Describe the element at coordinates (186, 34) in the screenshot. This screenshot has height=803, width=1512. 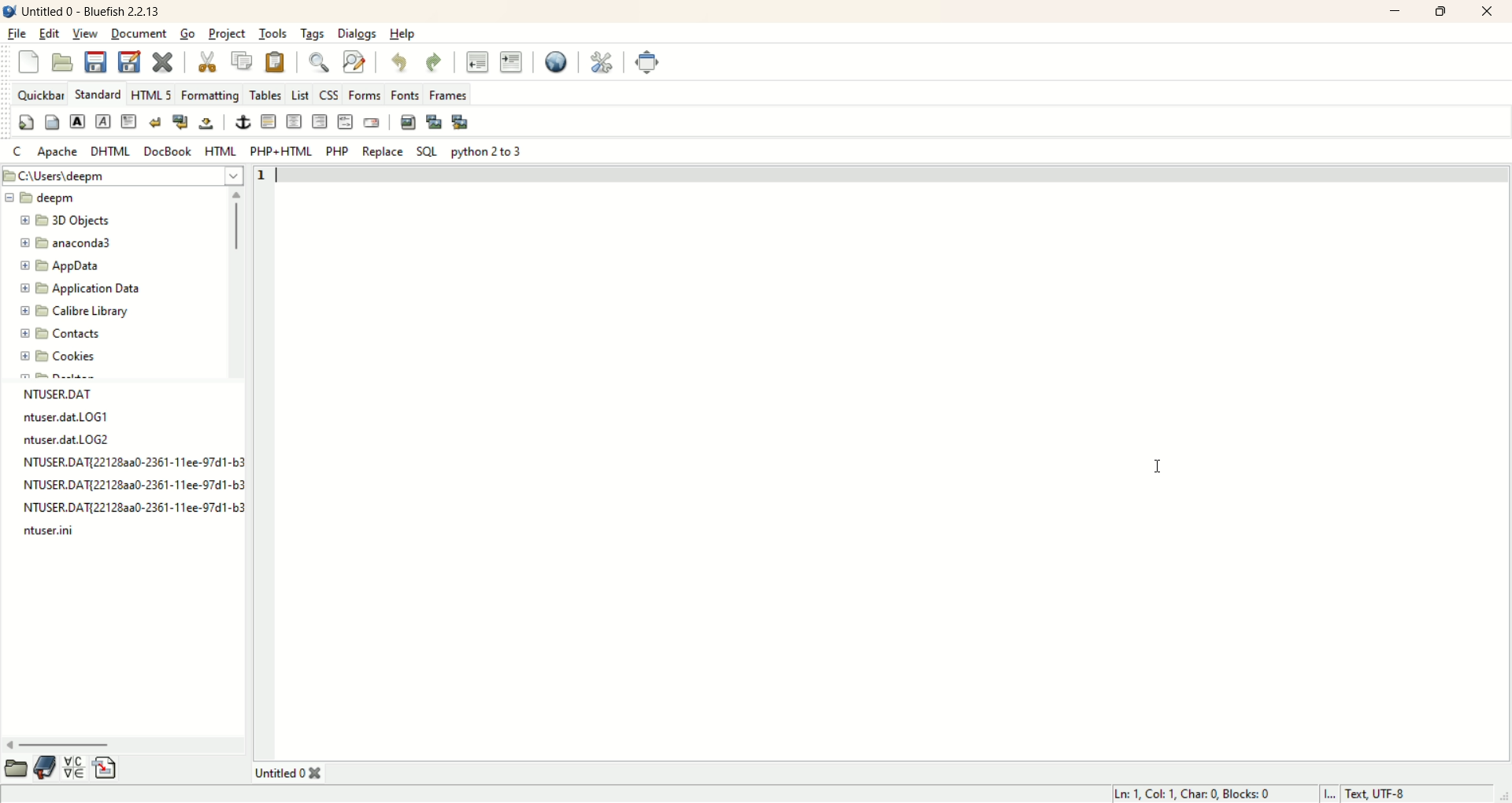
I see `go` at that location.